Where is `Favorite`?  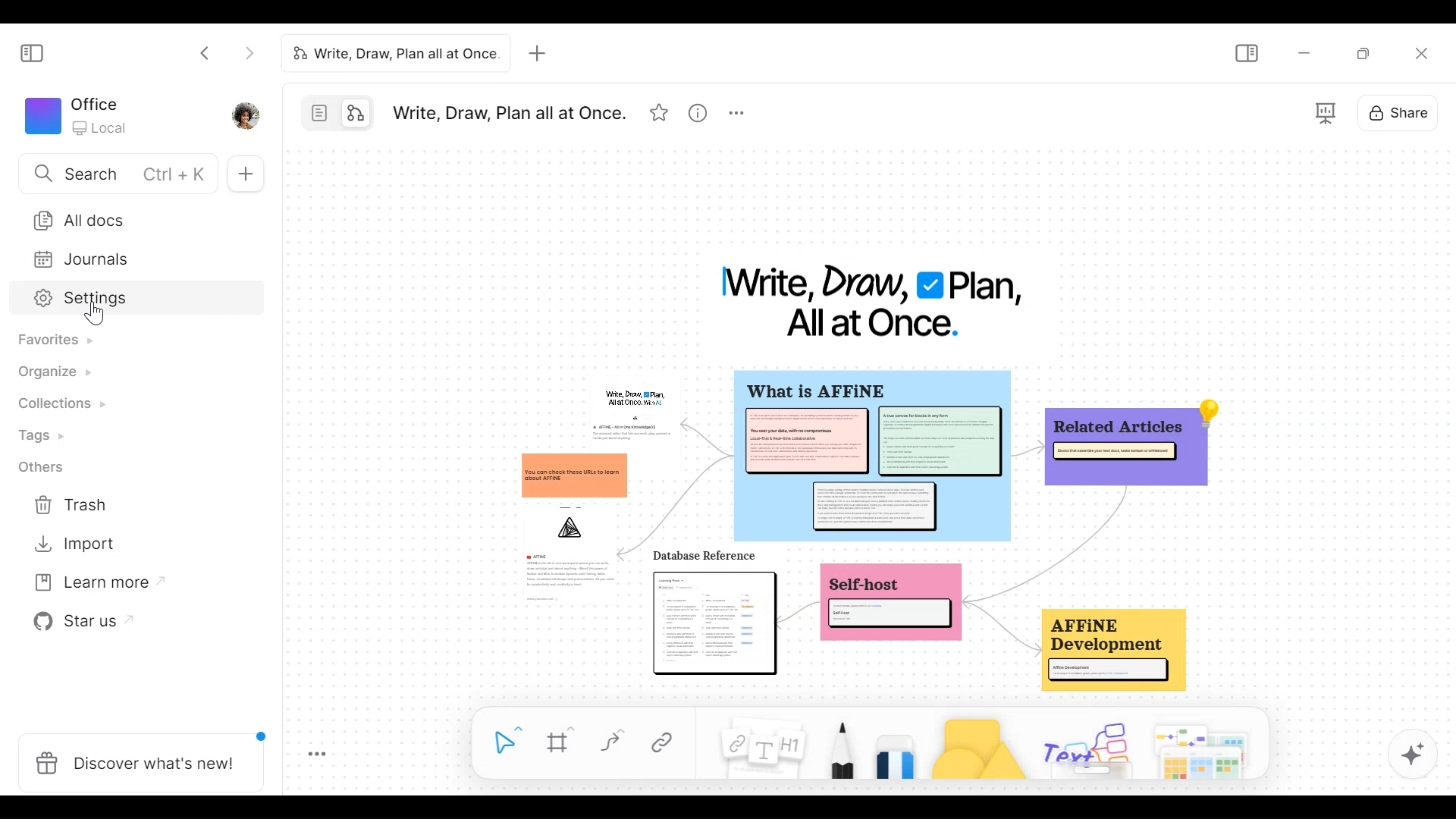
Favorite is located at coordinates (661, 109).